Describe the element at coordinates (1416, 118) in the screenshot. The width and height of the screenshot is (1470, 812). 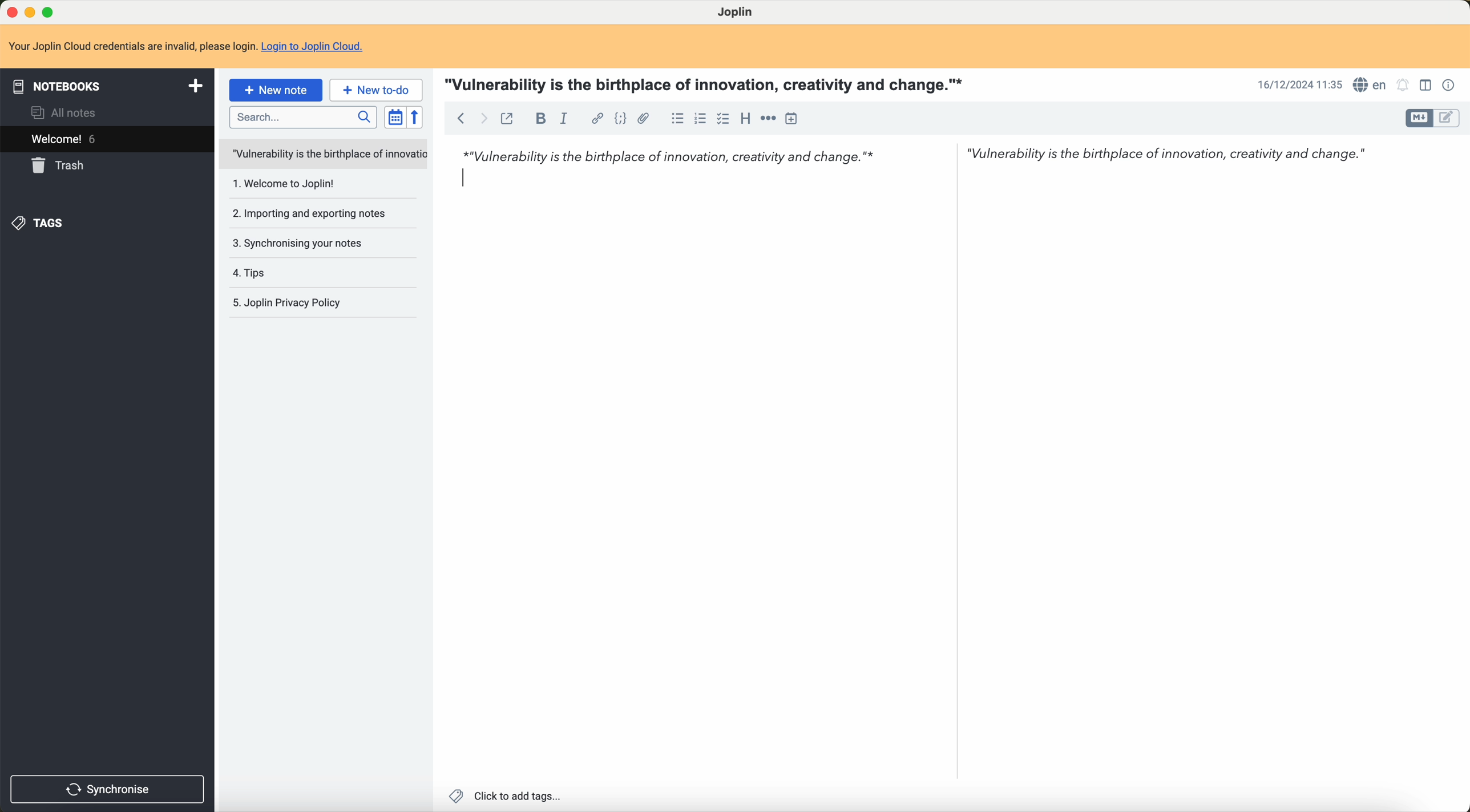
I see `toggle editor` at that location.